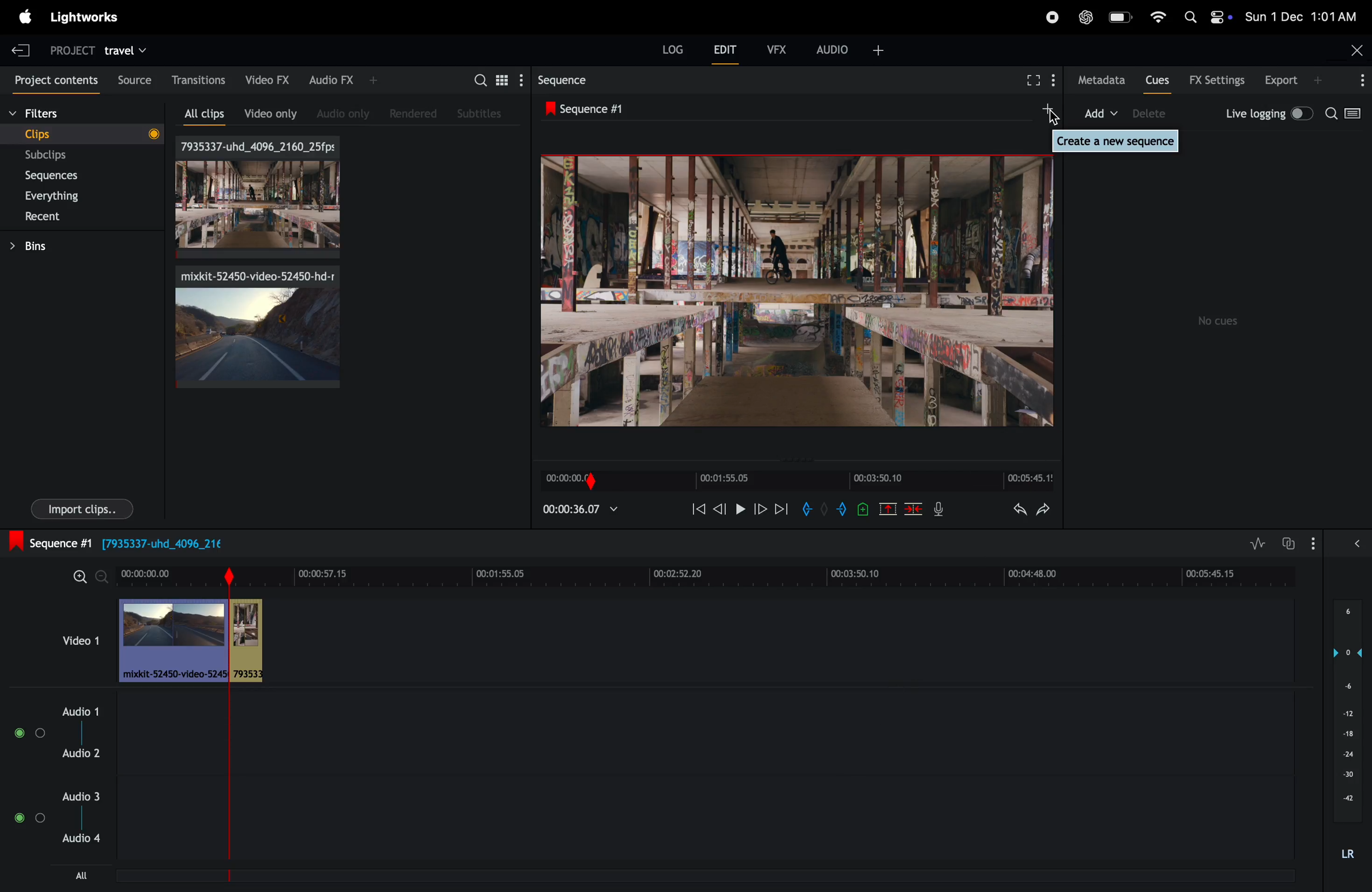 This screenshot has width=1372, height=892. I want to click on transitions, so click(200, 78).